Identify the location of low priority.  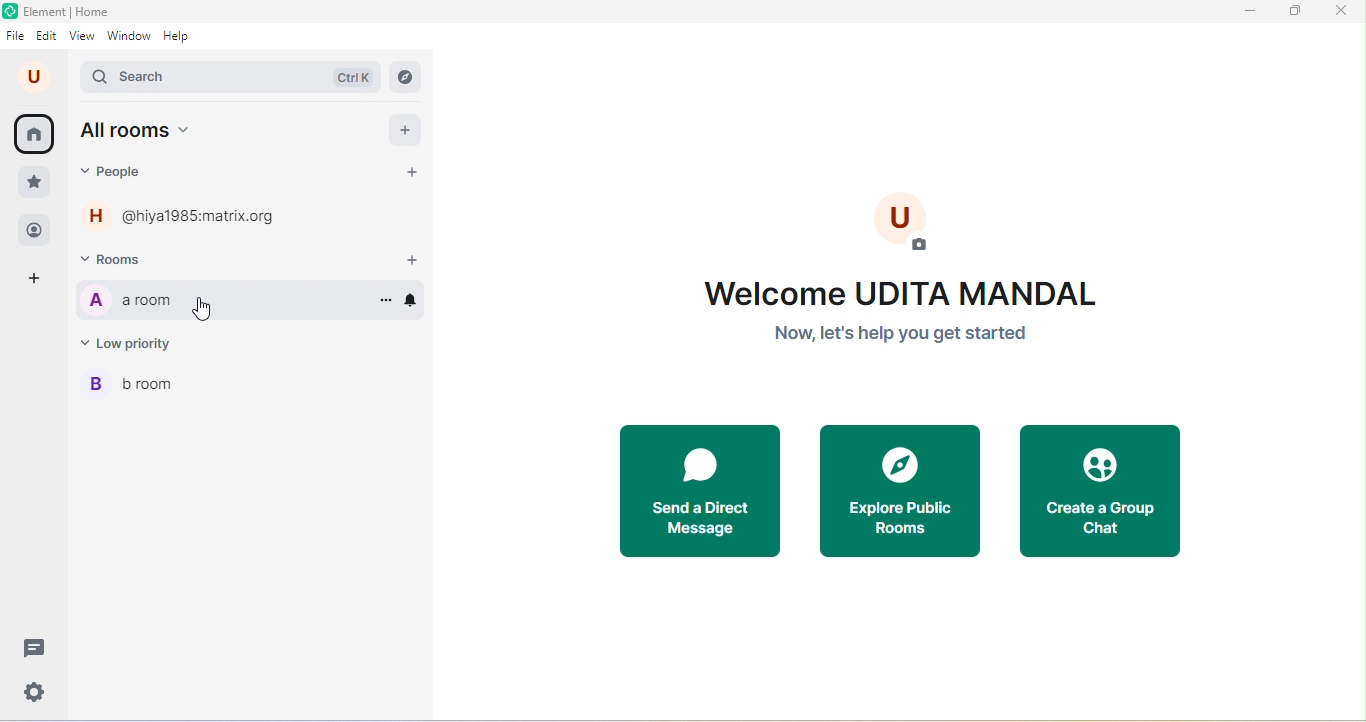
(131, 342).